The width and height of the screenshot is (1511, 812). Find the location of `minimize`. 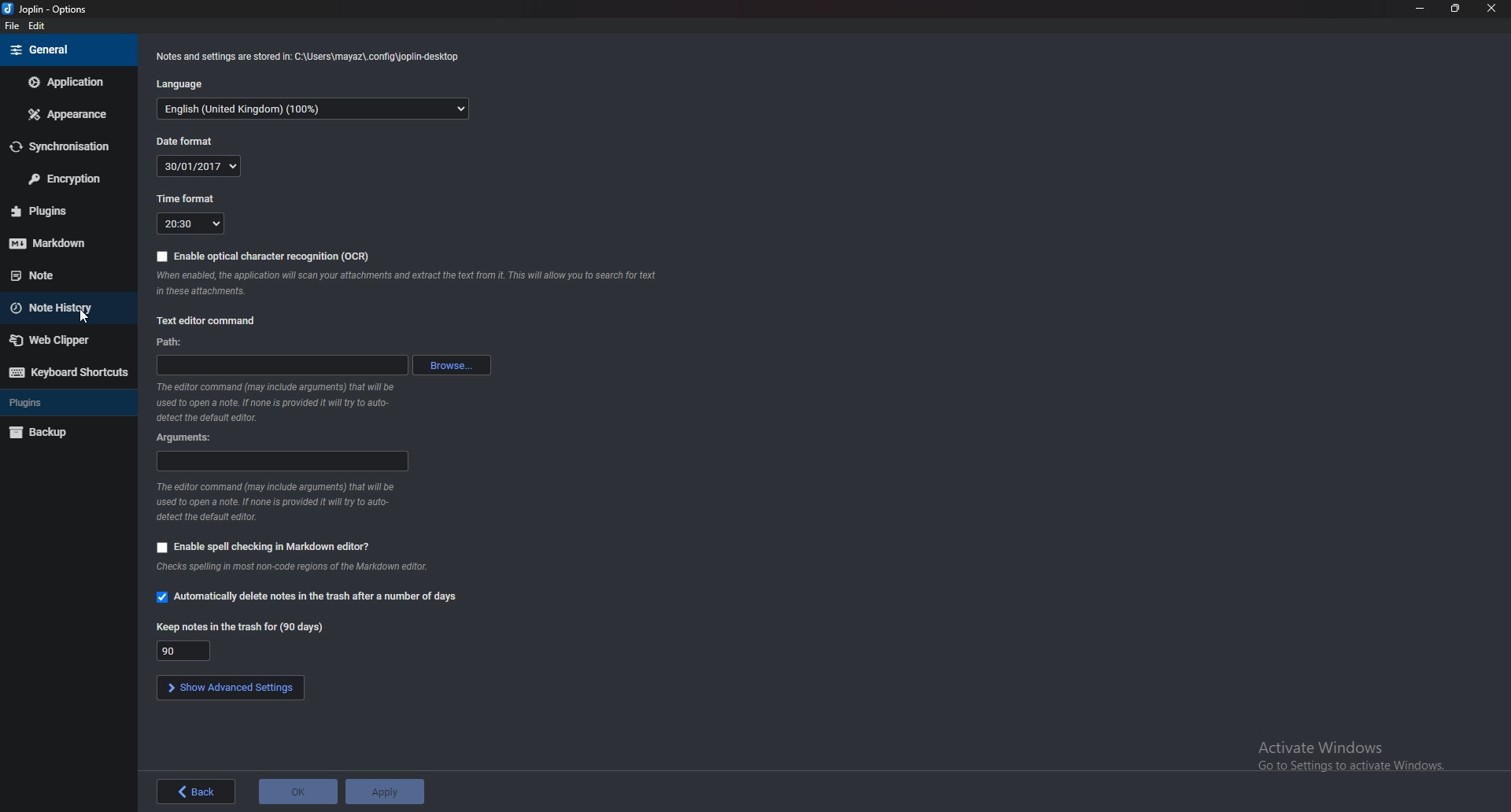

minimize is located at coordinates (1421, 8).